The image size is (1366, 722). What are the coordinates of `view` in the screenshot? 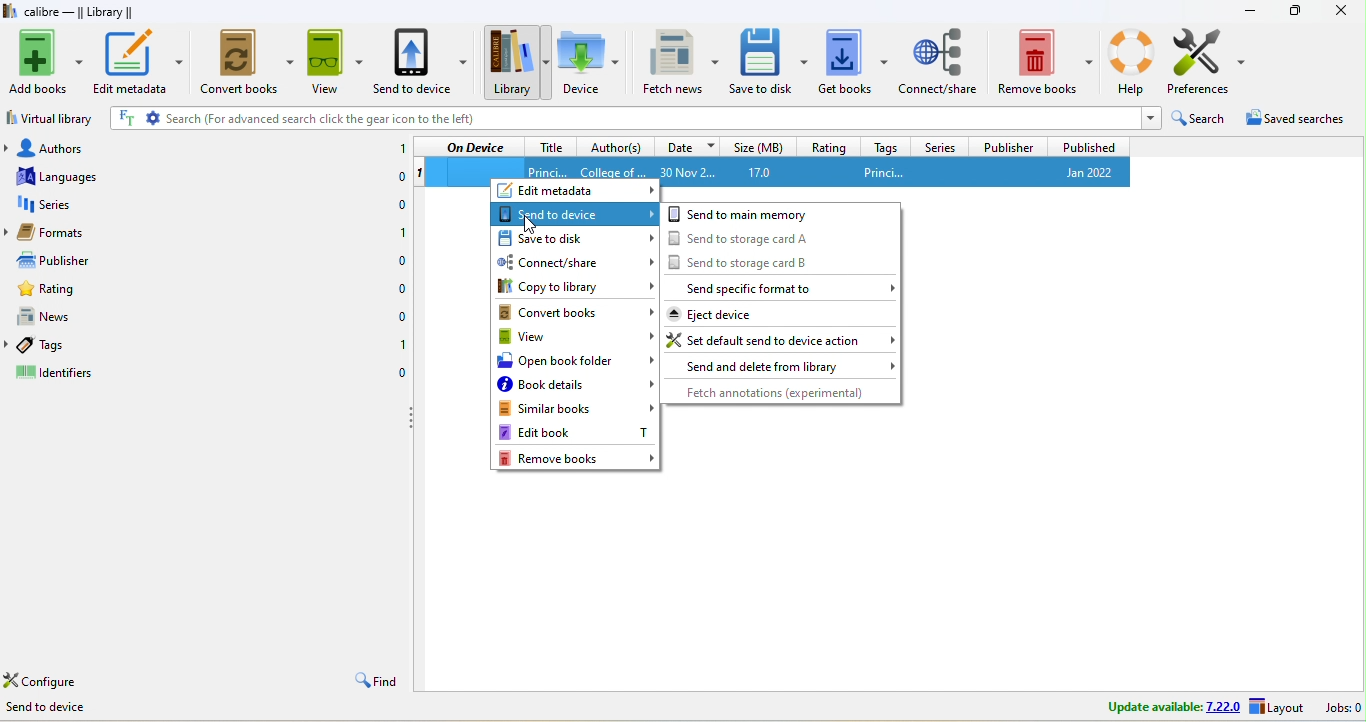 It's located at (574, 337).